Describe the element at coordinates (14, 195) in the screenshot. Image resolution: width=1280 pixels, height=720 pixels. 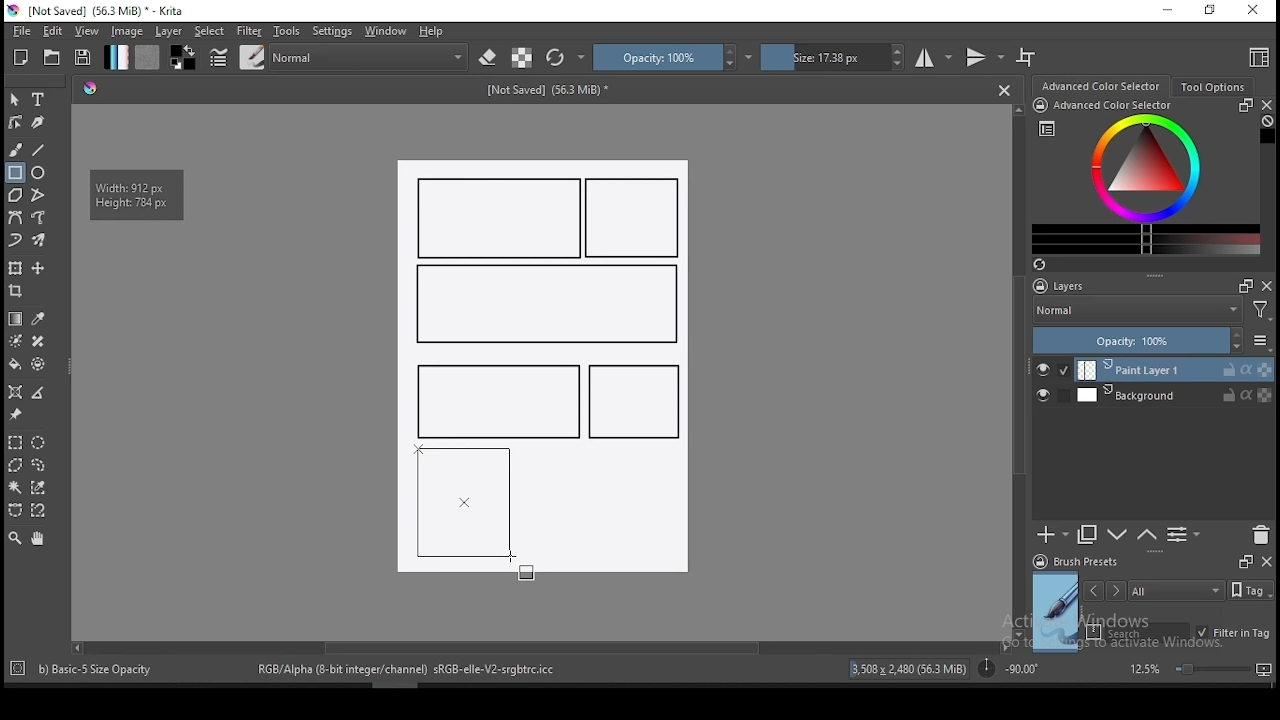
I see `polygon tool` at that location.